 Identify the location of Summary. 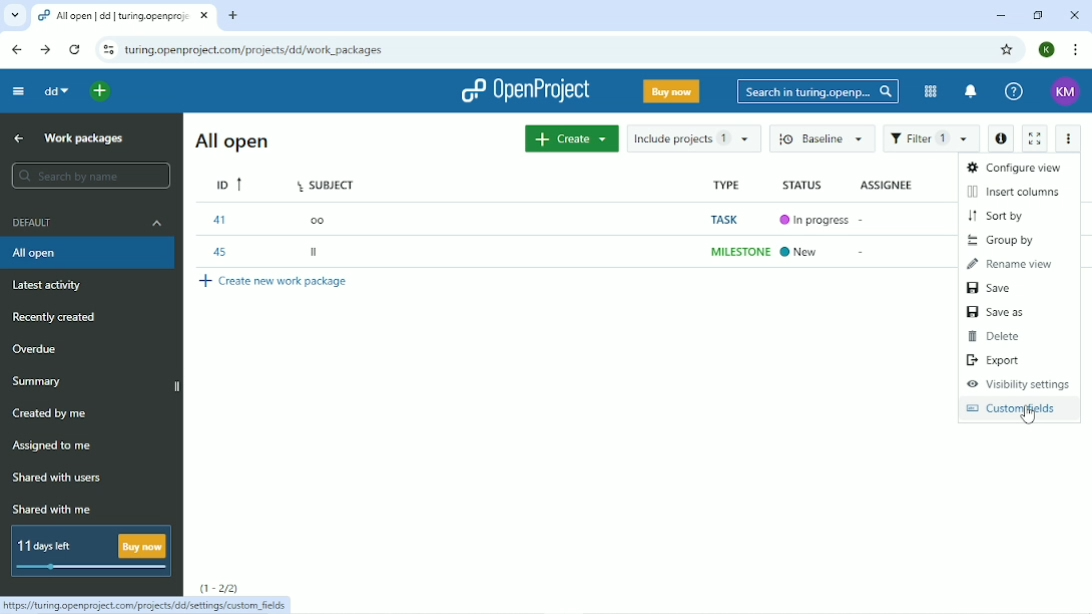
(40, 382).